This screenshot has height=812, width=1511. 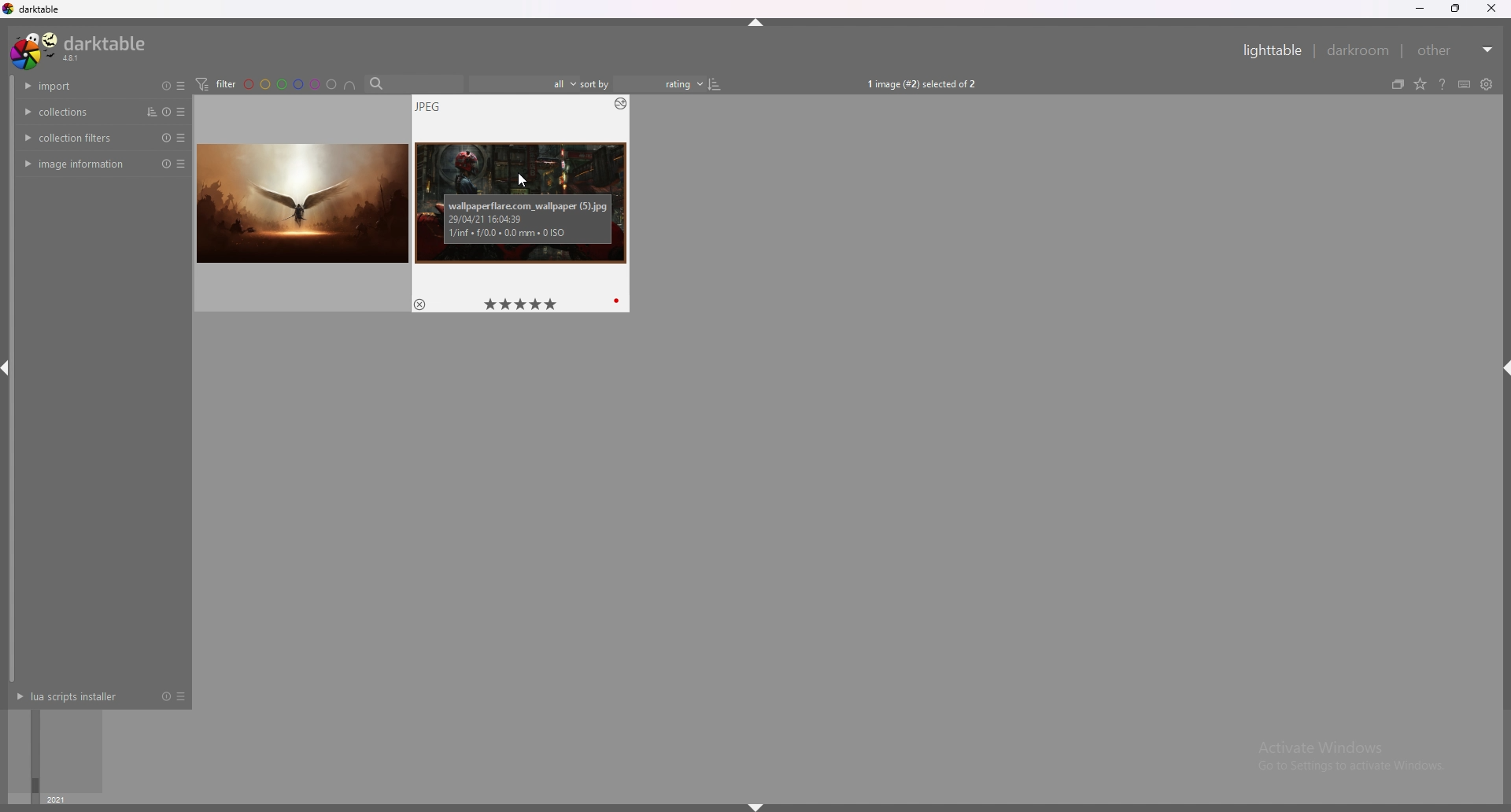 I want to click on filter by images rating, so click(x=523, y=83).